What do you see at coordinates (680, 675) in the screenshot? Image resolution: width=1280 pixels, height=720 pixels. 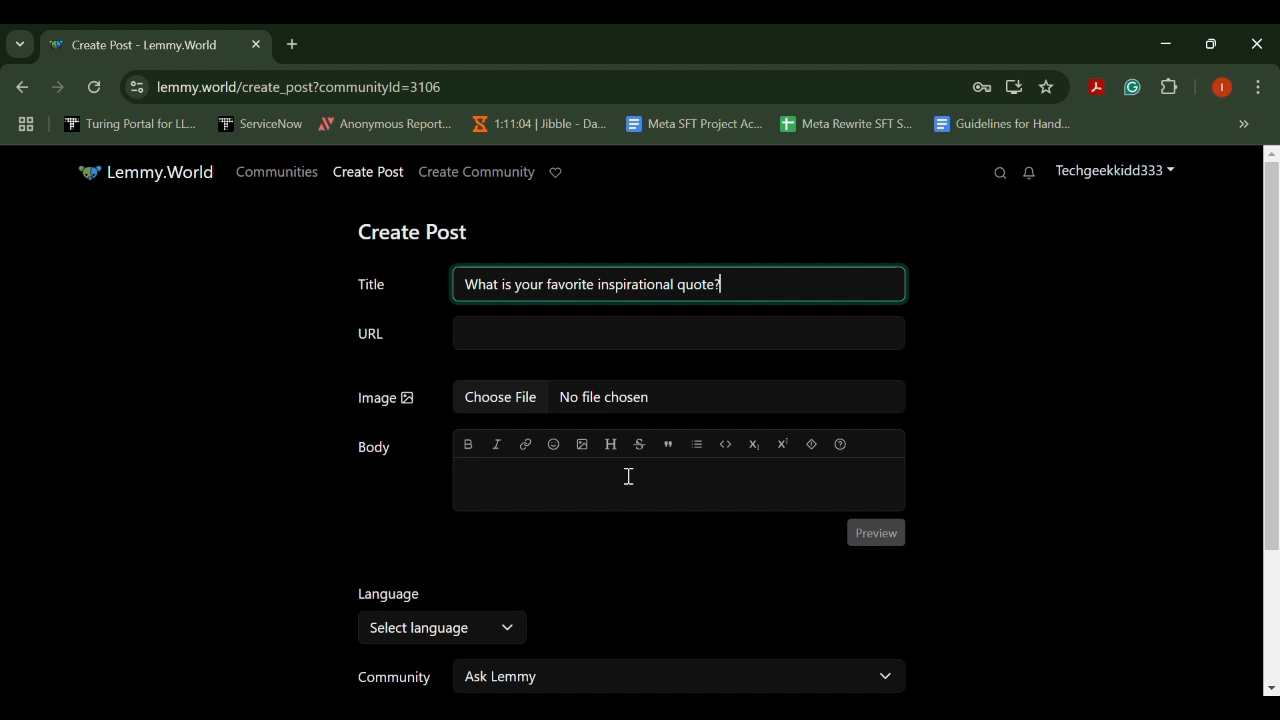 I see `Ask Lemmy` at bounding box center [680, 675].